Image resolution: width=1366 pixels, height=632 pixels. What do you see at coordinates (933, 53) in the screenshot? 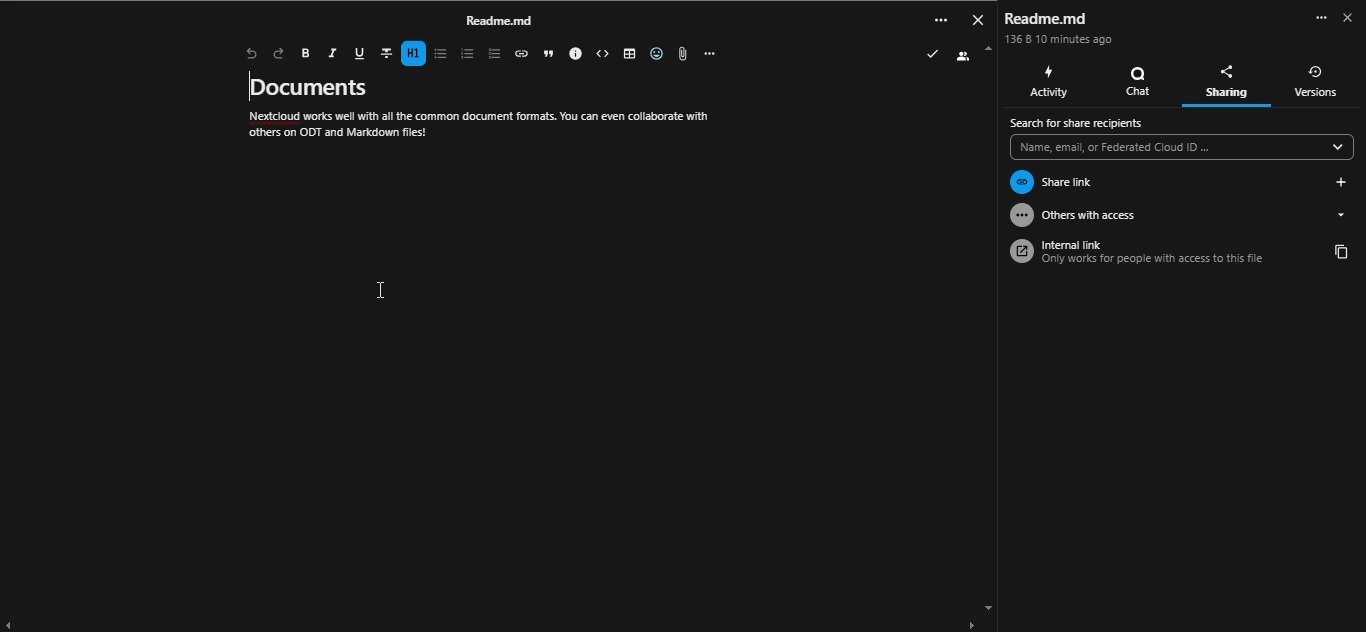
I see `tick` at bounding box center [933, 53].